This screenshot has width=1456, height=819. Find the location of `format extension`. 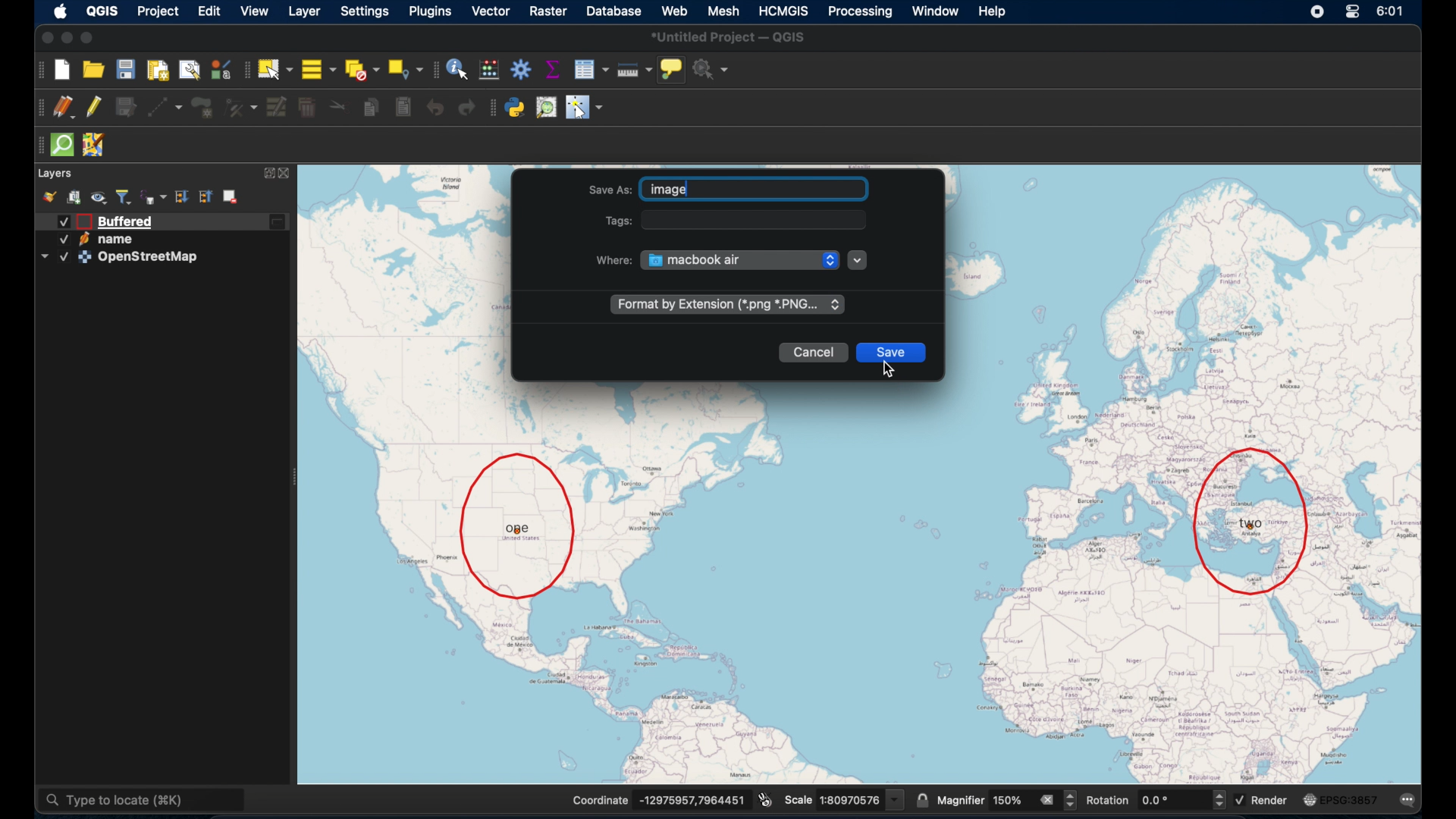

format extension is located at coordinates (726, 305).